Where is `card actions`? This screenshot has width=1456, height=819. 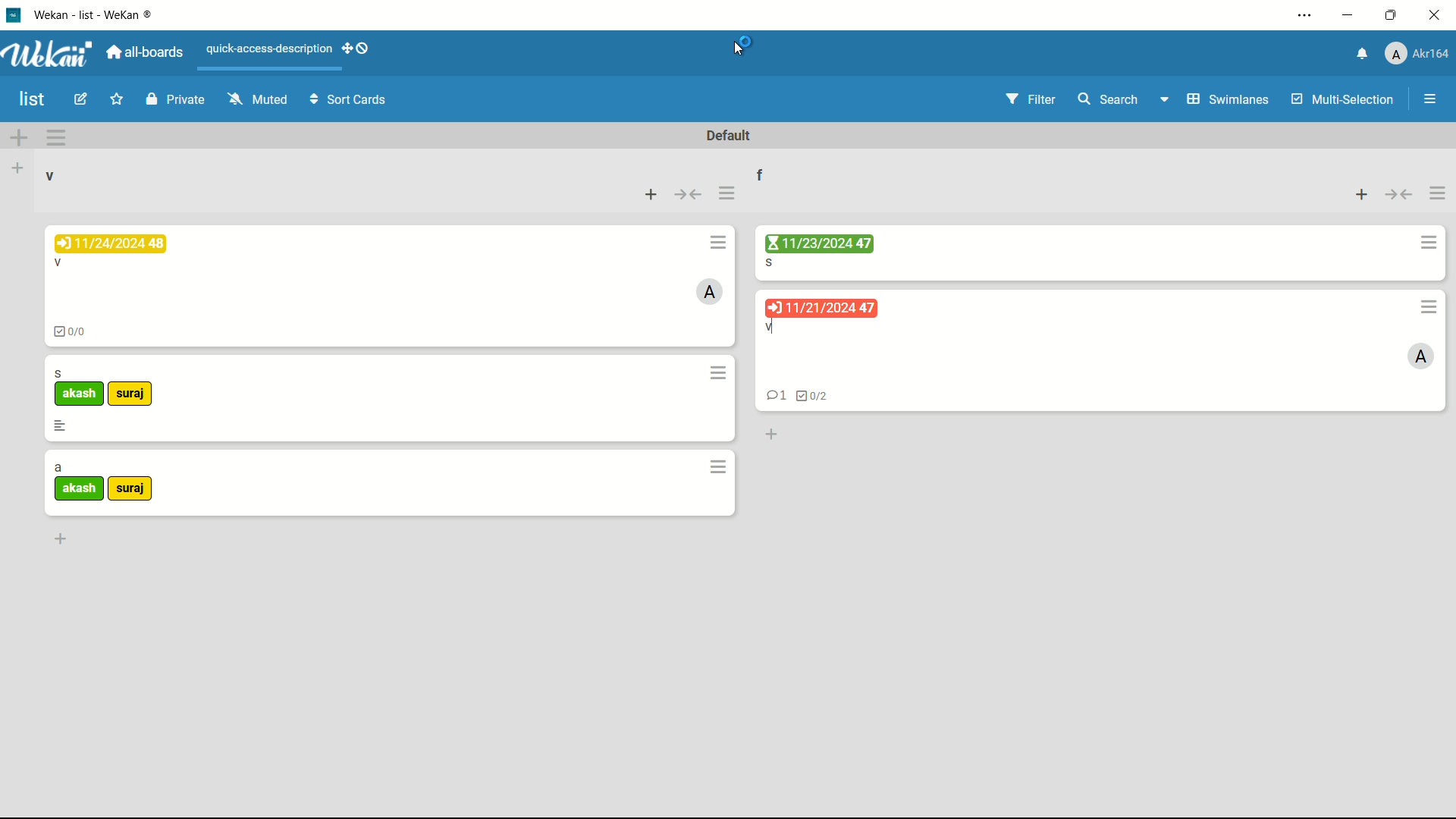 card actions is located at coordinates (720, 373).